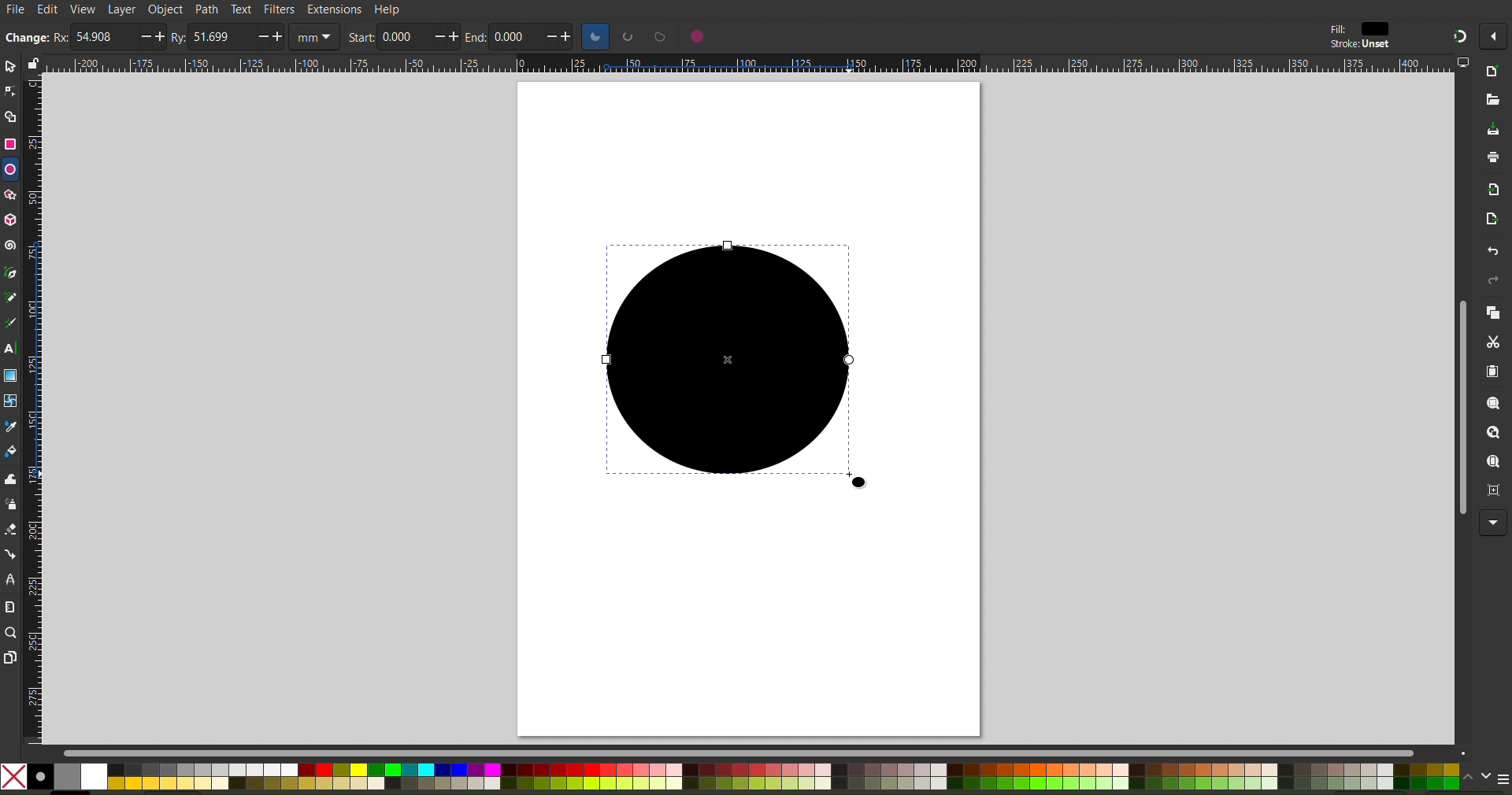 The width and height of the screenshot is (1512, 795). I want to click on Gradient Tool, so click(10, 375).